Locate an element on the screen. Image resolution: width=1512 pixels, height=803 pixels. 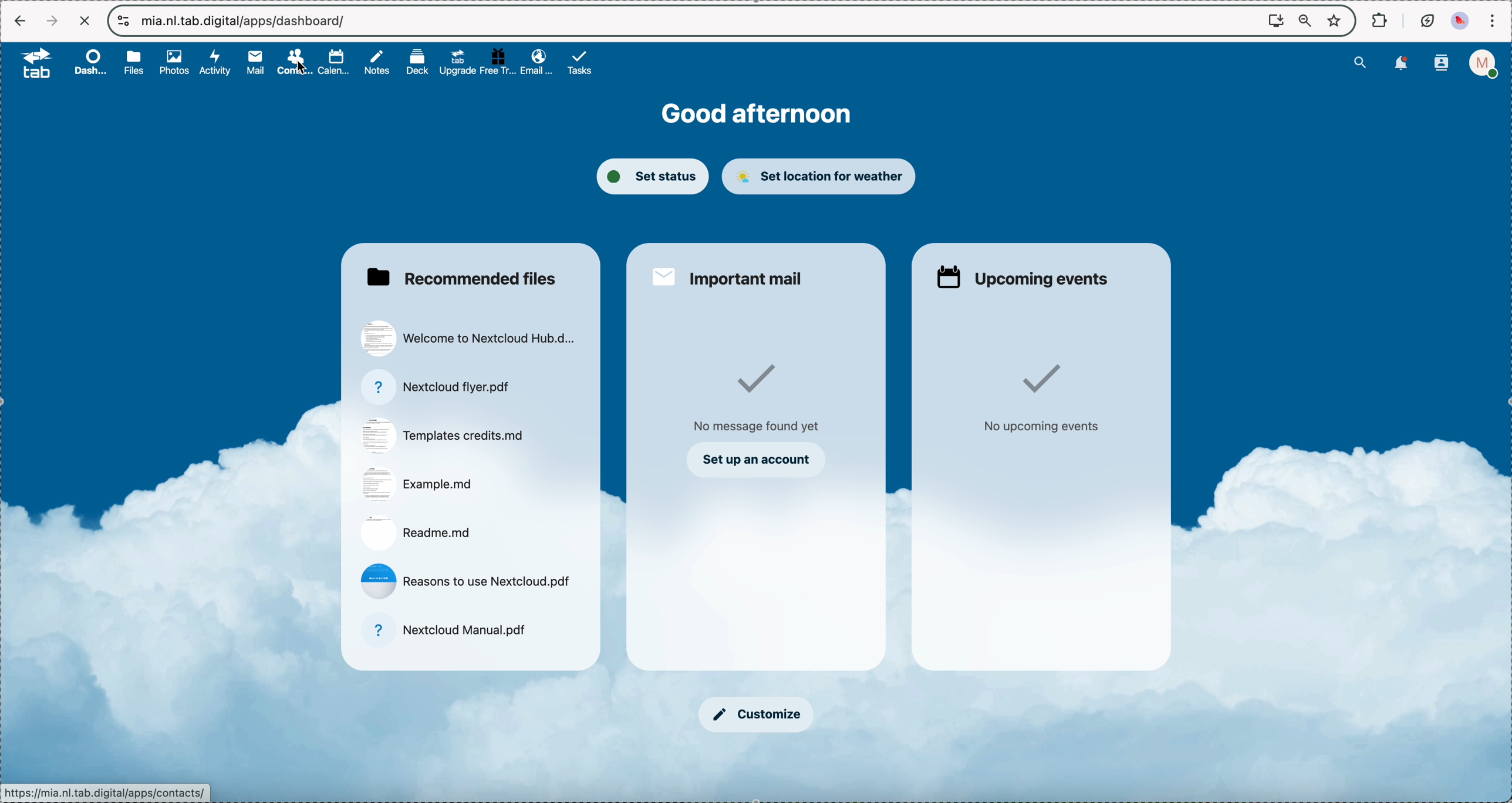
customize and control Google Chrome is located at coordinates (1495, 19).